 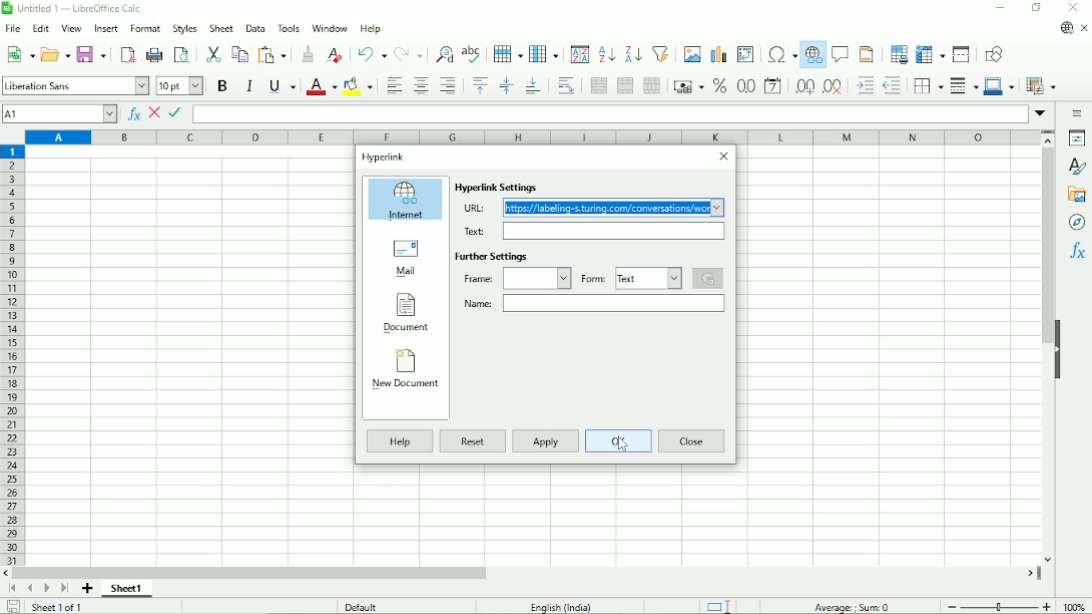 I want to click on Apply, so click(x=547, y=441).